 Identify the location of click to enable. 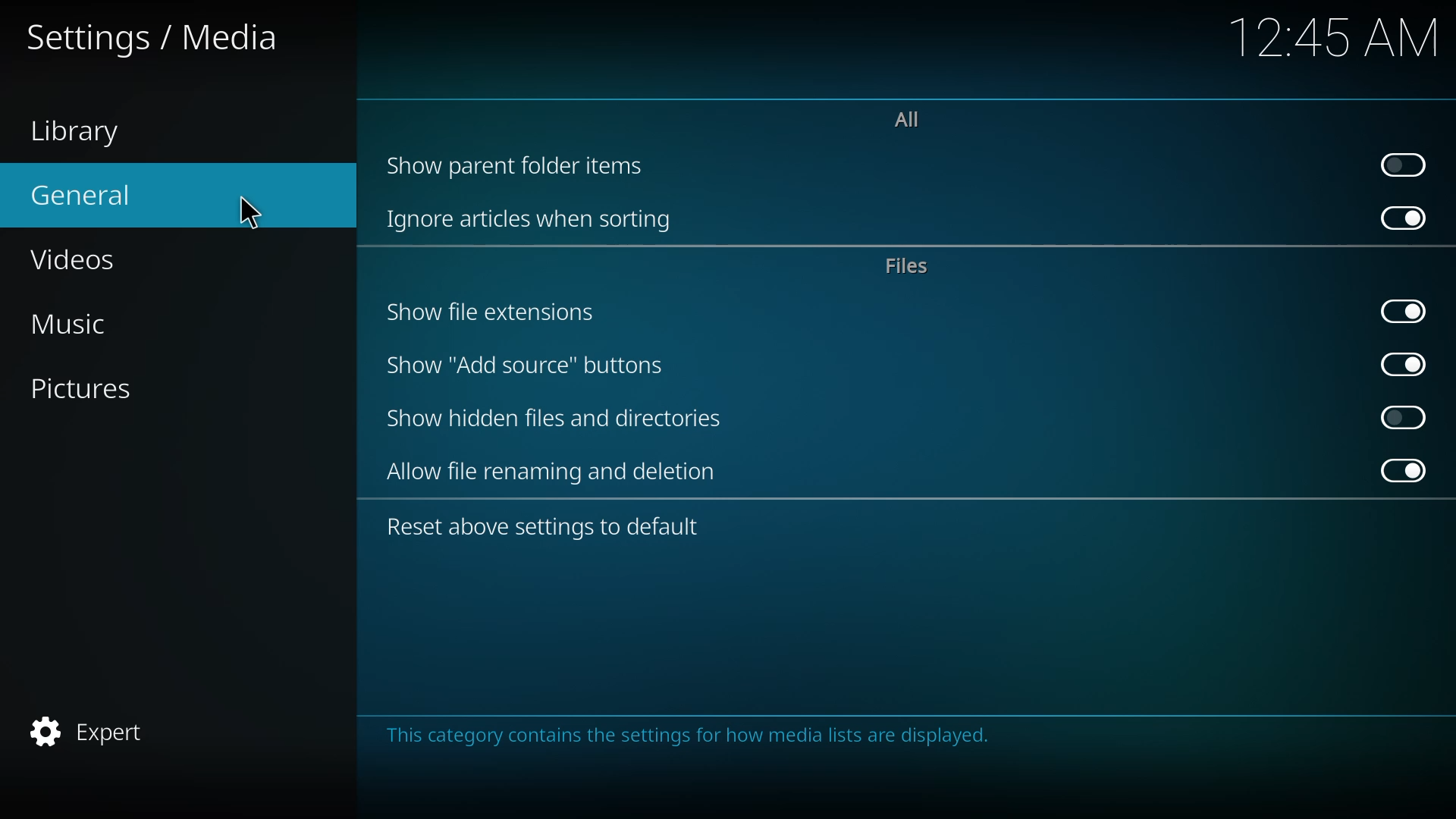
(1406, 163).